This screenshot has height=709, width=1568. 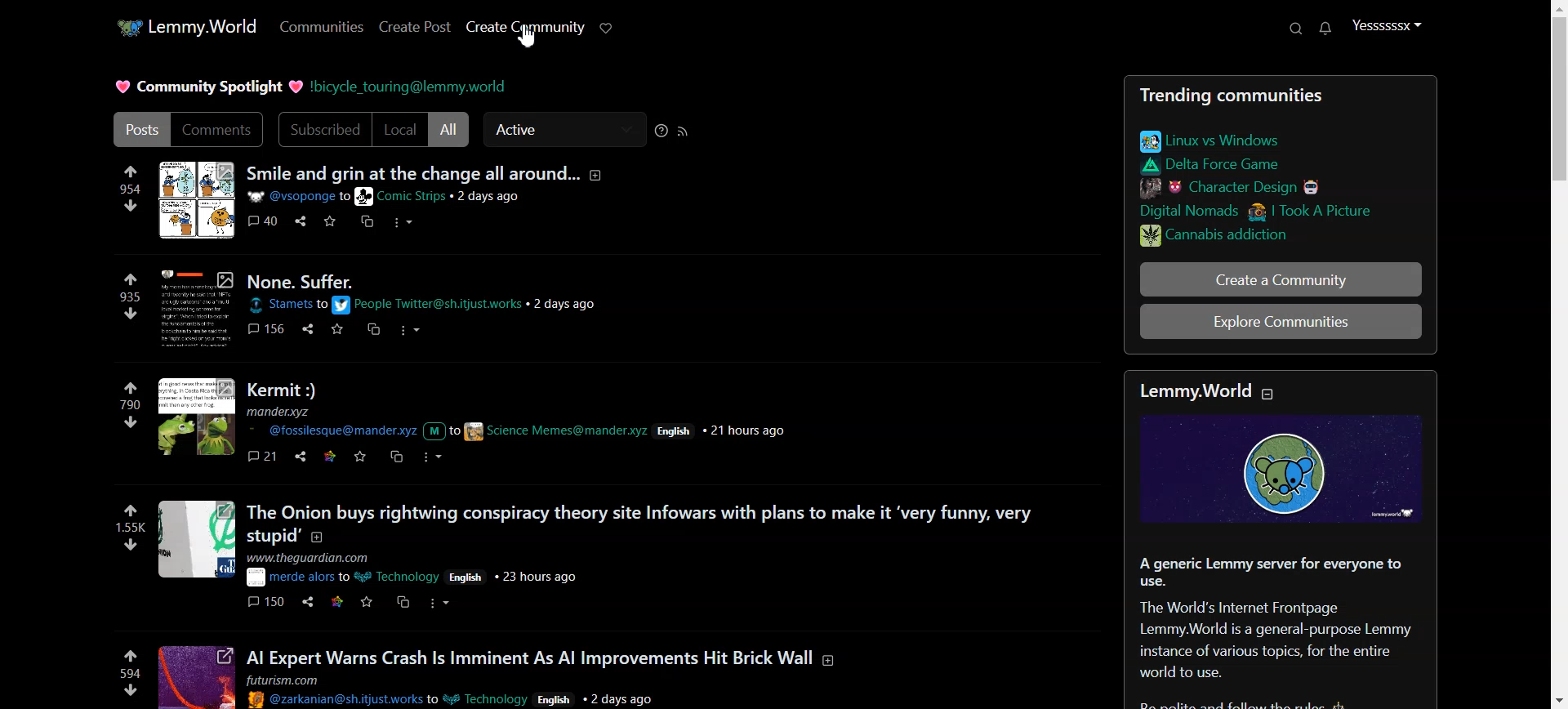 What do you see at coordinates (207, 88) in the screenshot?
I see `Text` at bounding box center [207, 88].